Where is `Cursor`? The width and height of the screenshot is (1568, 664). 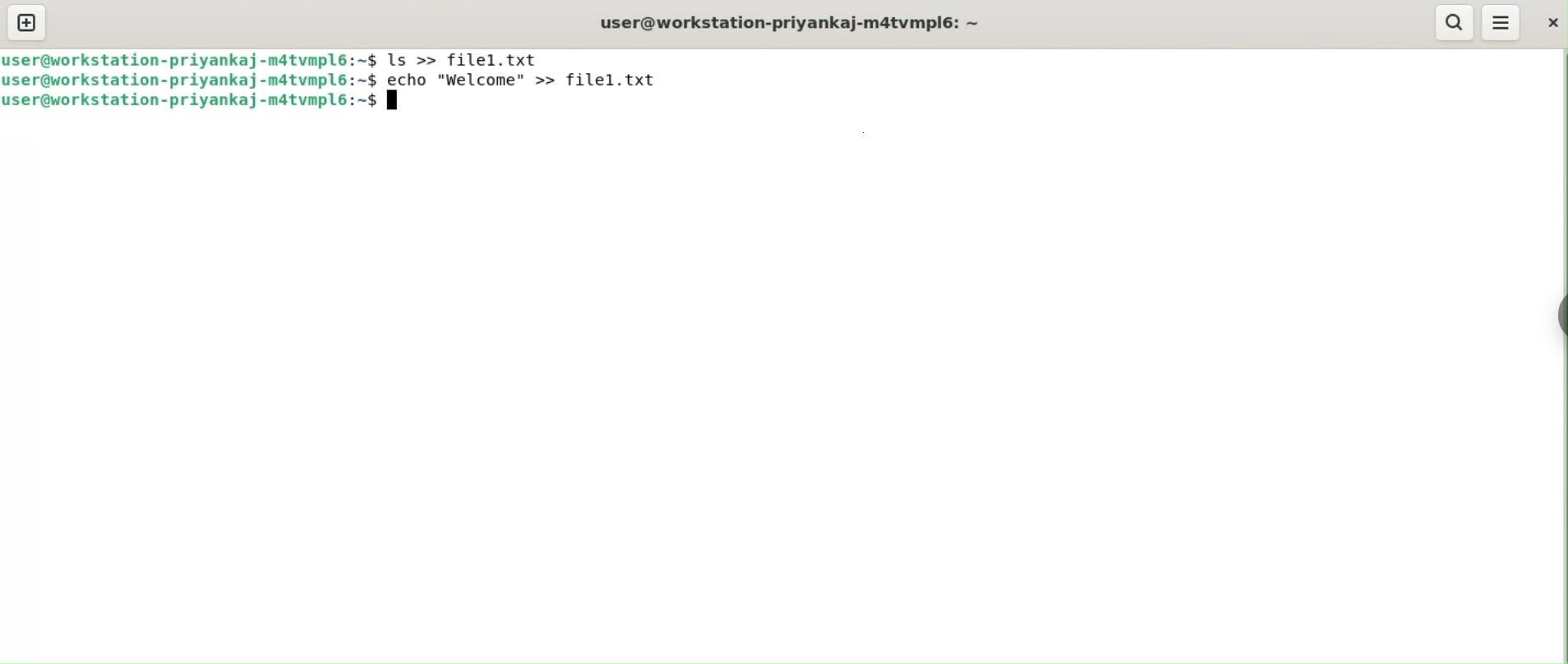
Cursor is located at coordinates (398, 104).